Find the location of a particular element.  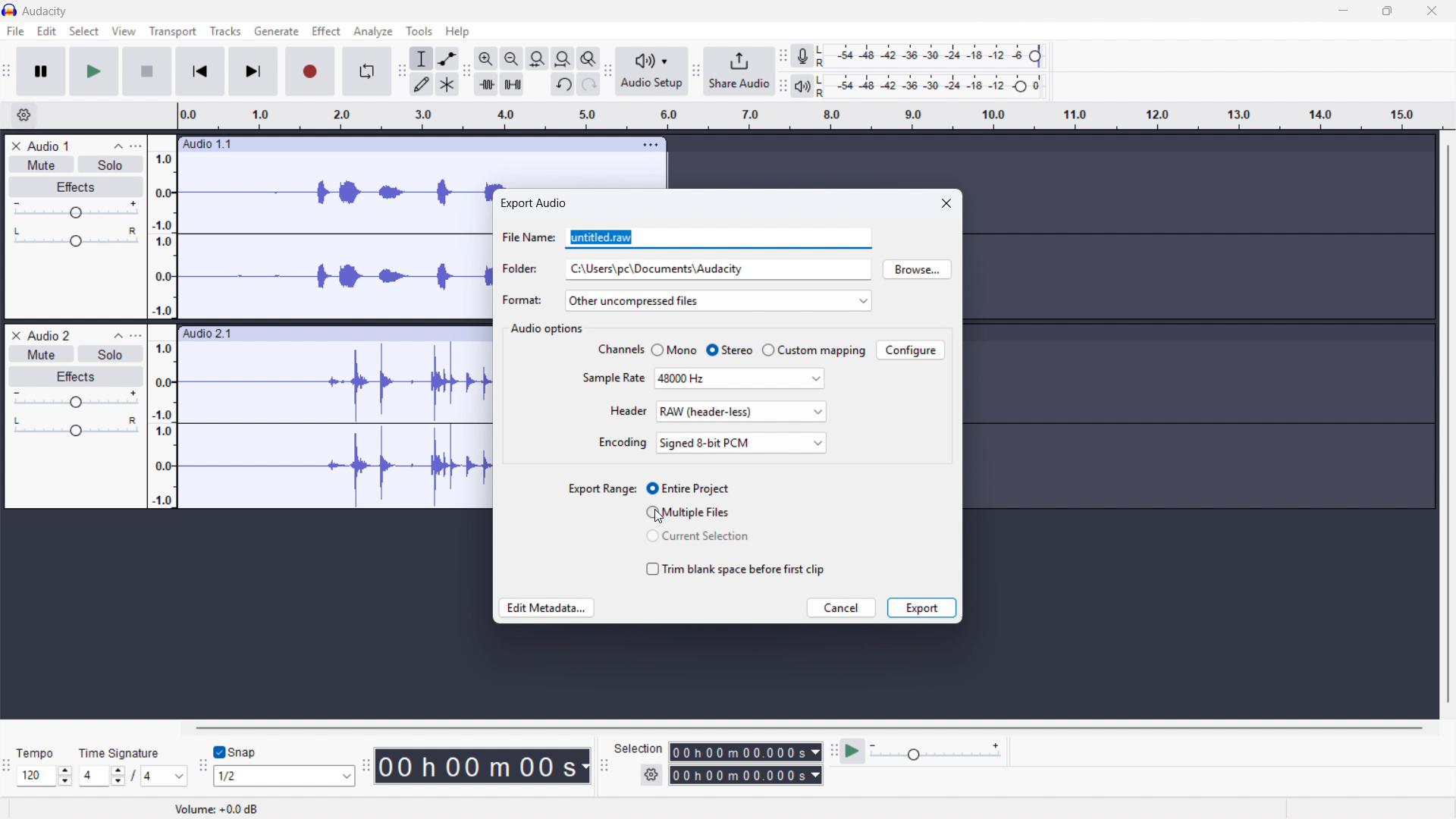

Custom mapping  is located at coordinates (814, 350).